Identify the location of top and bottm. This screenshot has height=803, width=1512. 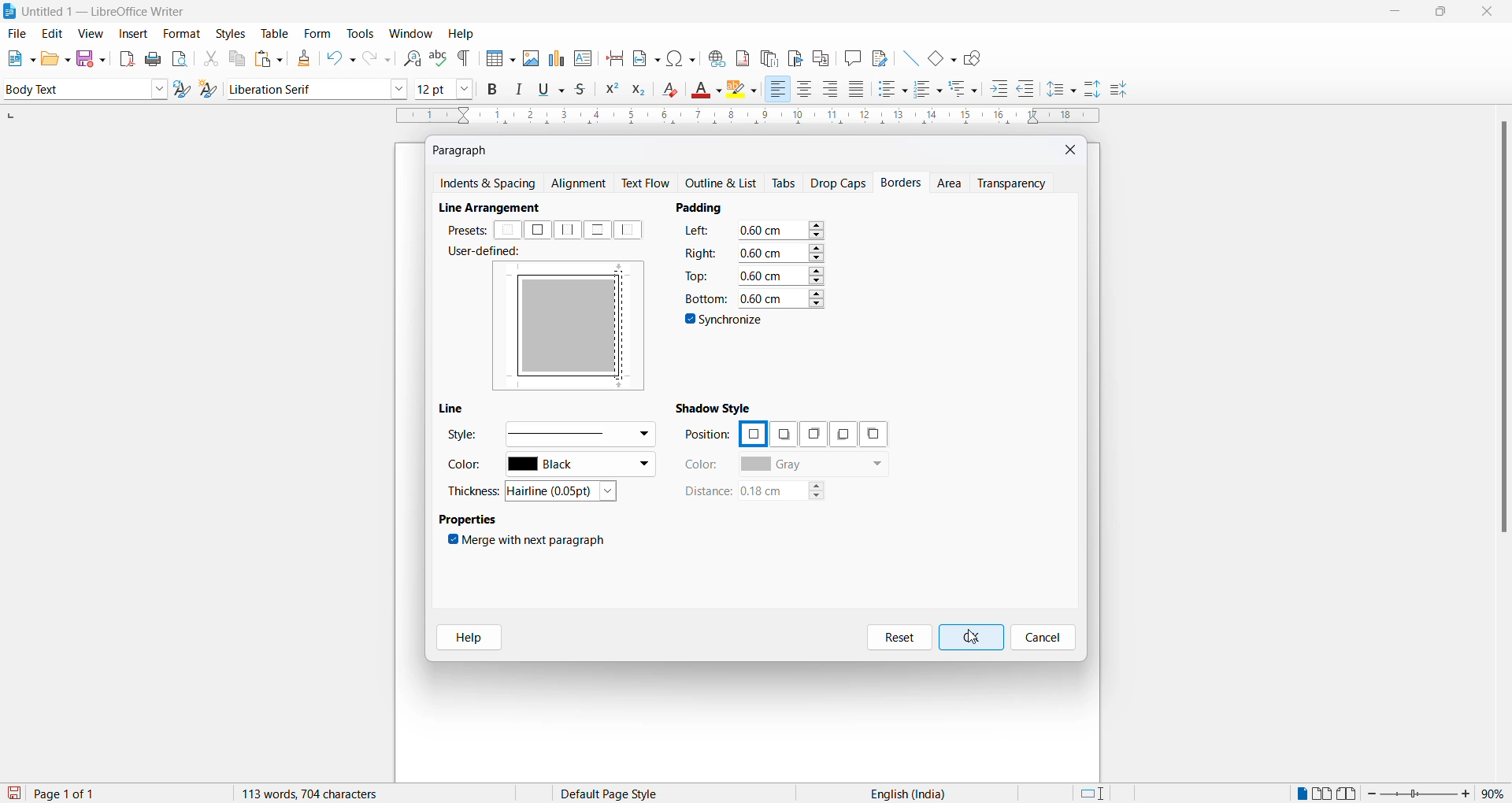
(597, 230).